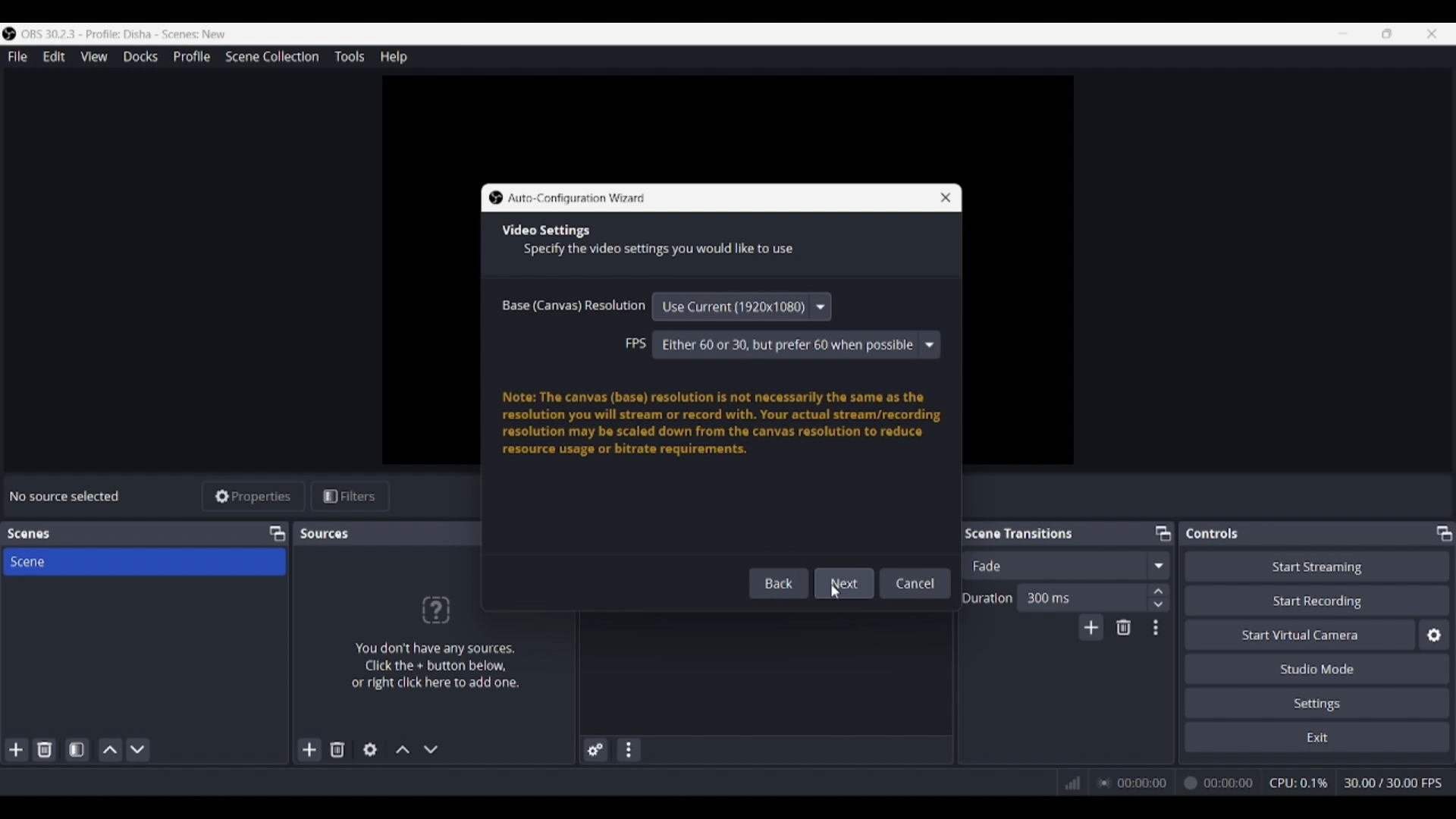 The width and height of the screenshot is (1456, 819). Describe the element at coordinates (987, 598) in the screenshot. I see `Indicates duration` at that location.